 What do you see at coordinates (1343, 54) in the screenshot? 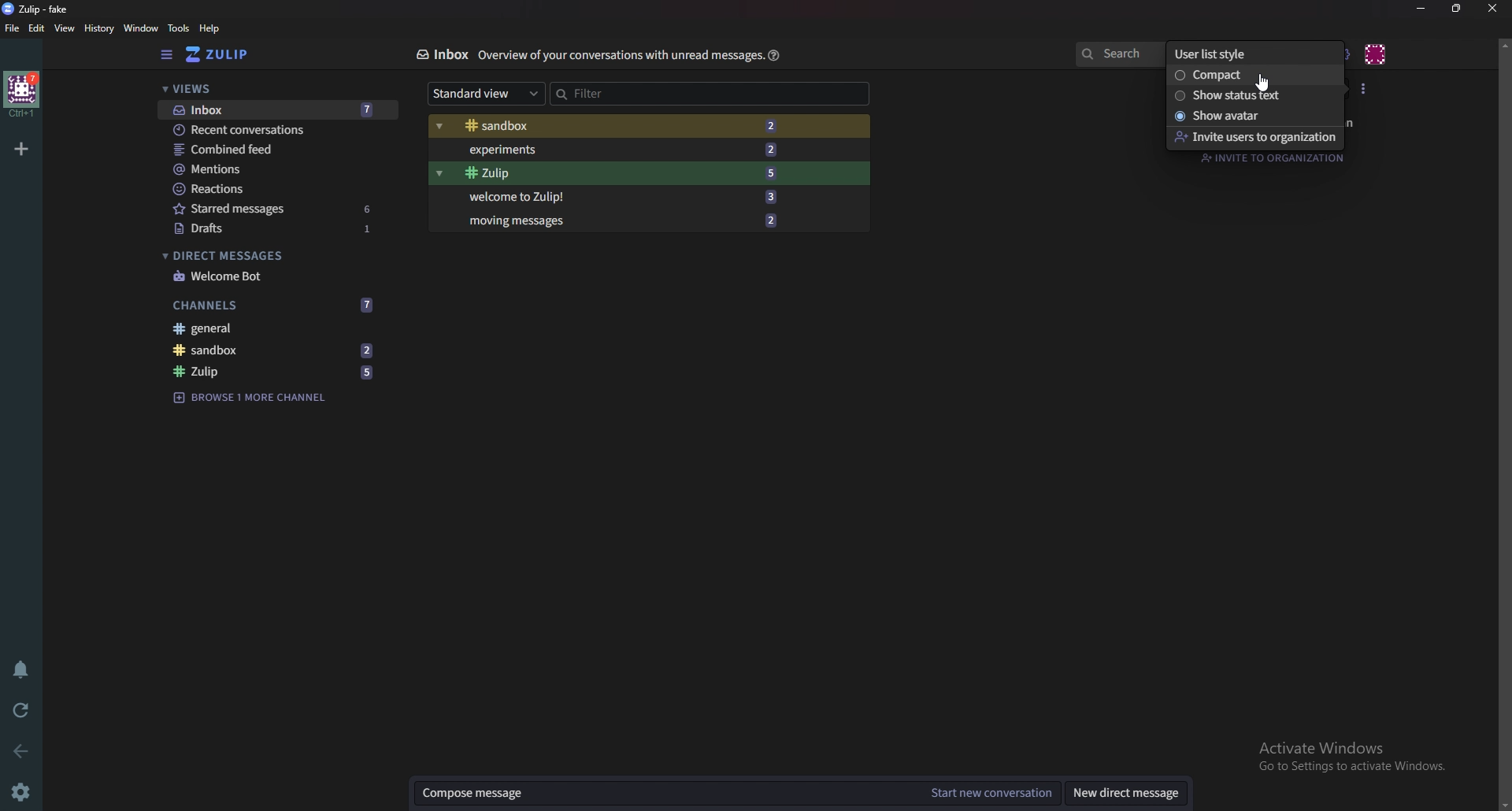
I see `main menu` at bounding box center [1343, 54].